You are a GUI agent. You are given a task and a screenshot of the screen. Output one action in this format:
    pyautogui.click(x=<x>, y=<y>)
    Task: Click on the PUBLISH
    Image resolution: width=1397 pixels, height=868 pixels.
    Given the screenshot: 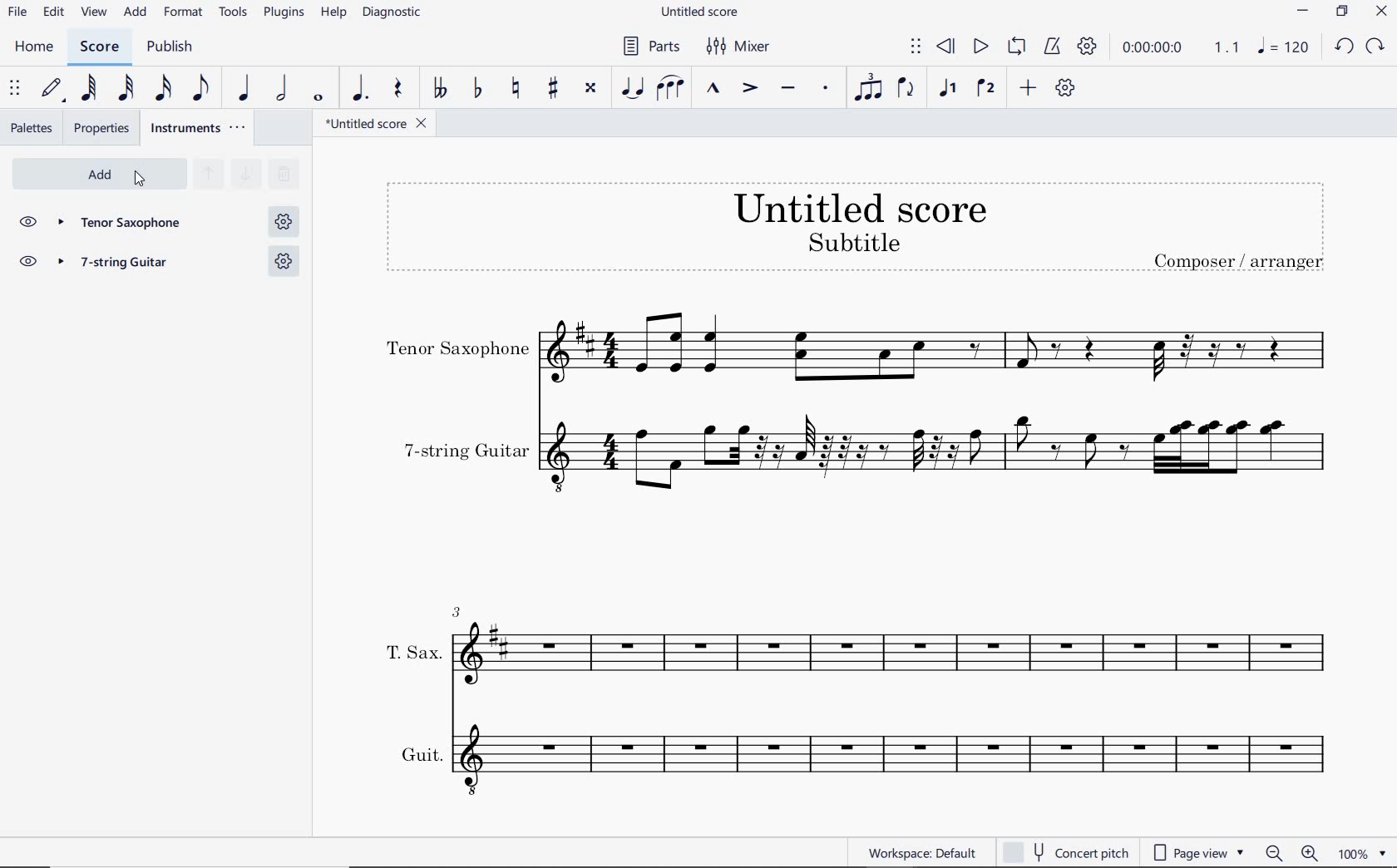 What is the action you would take?
    pyautogui.click(x=167, y=47)
    